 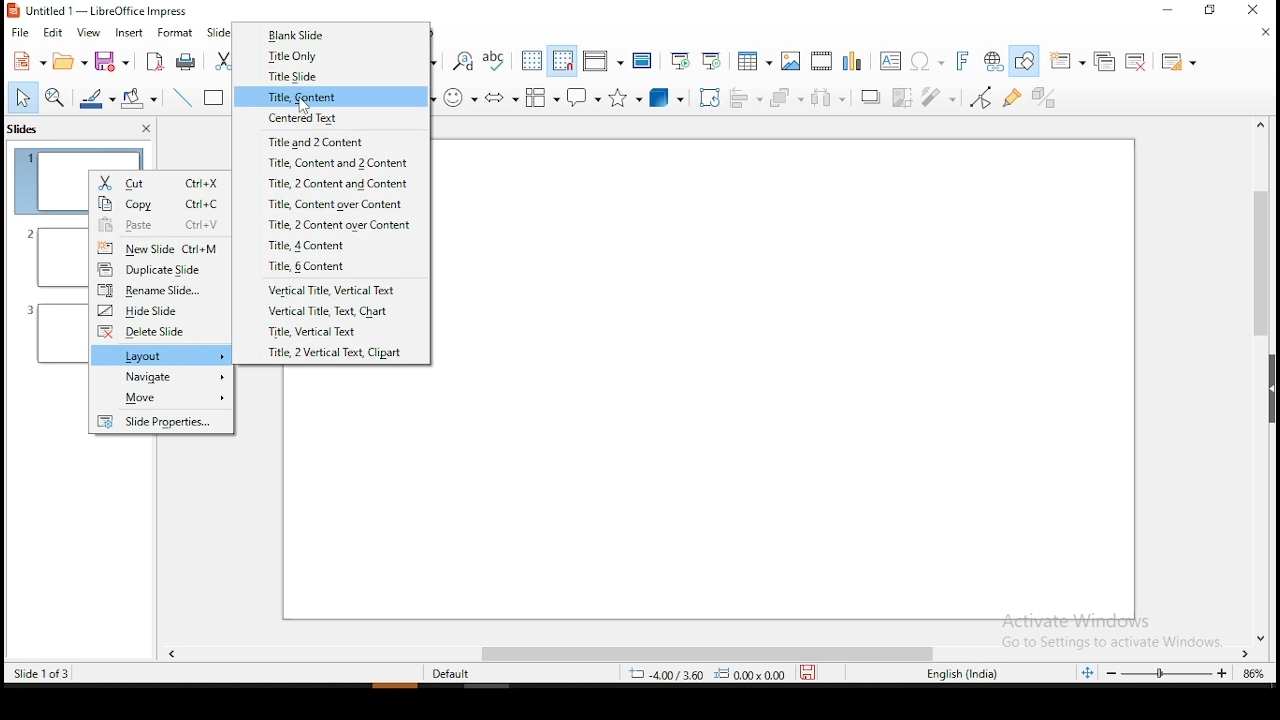 What do you see at coordinates (1167, 11) in the screenshot?
I see `minimize` at bounding box center [1167, 11].